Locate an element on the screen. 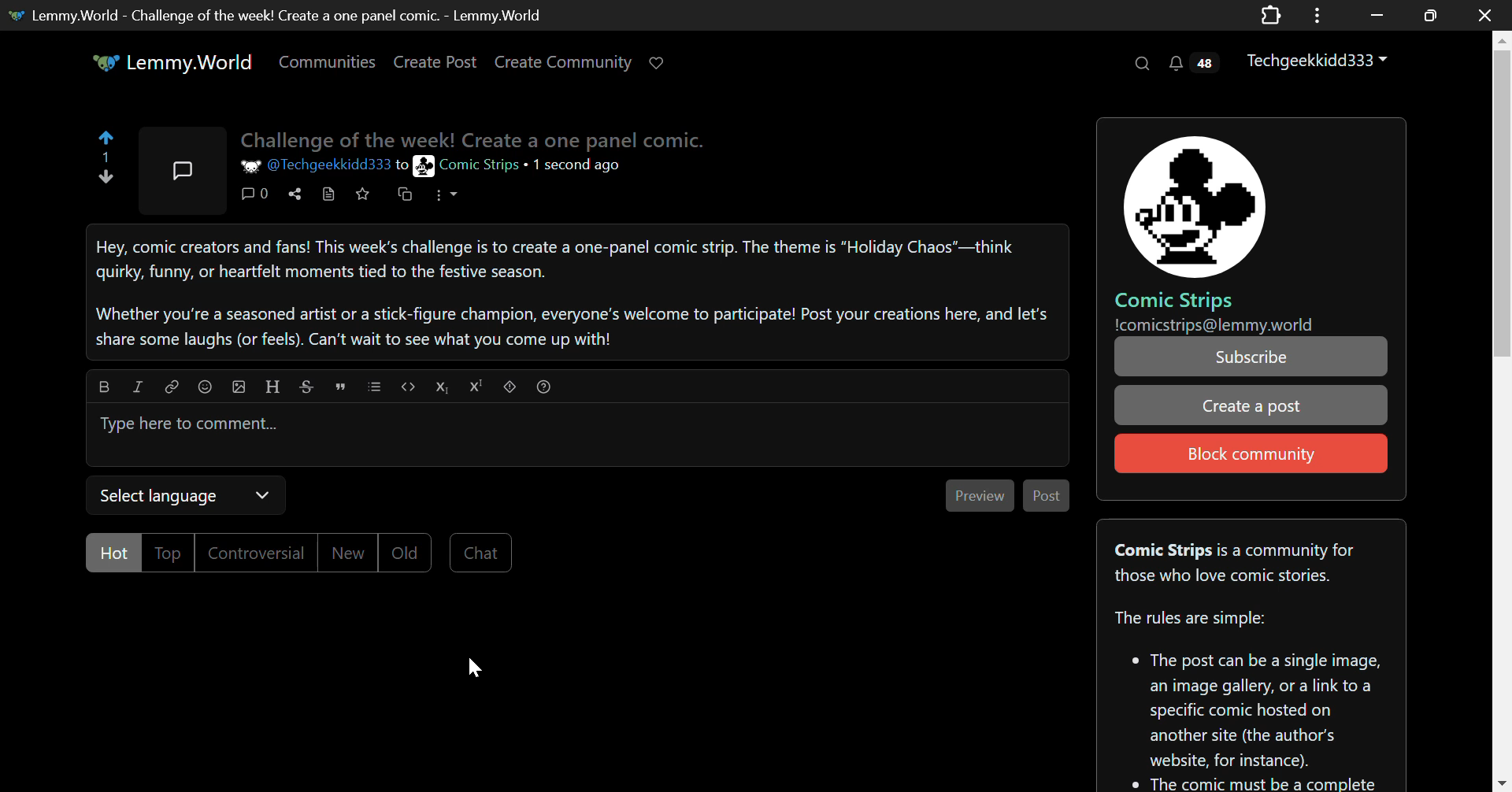 This screenshot has width=1512, height=792. upload image is located at coordinates (238, 385).